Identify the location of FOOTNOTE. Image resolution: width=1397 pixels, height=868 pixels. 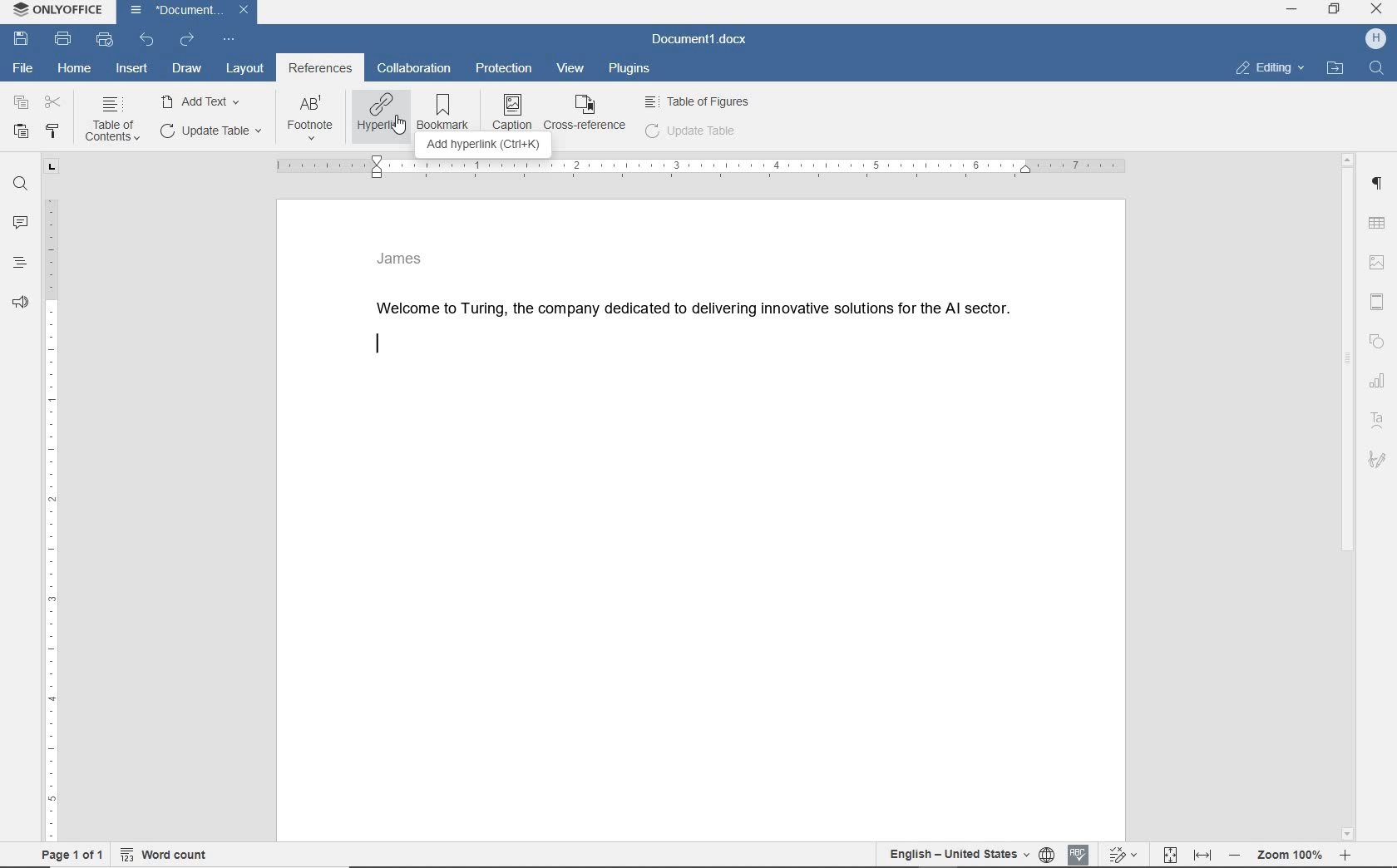
(310, 121).